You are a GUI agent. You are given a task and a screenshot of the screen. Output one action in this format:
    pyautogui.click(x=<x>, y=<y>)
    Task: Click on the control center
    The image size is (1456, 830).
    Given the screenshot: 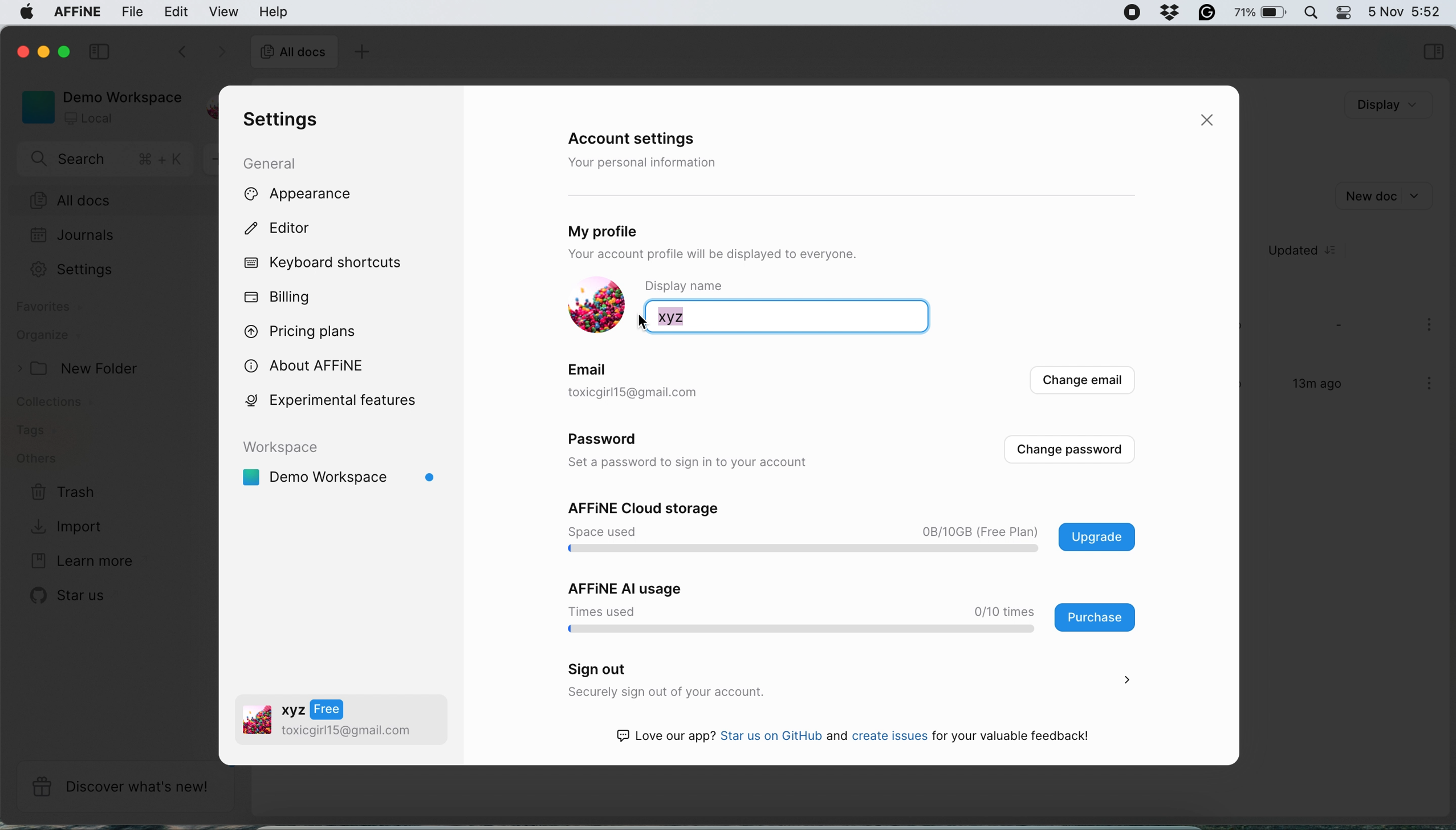 What is the action you would take?
    pyautogui.click(x=1343, y=13)
    